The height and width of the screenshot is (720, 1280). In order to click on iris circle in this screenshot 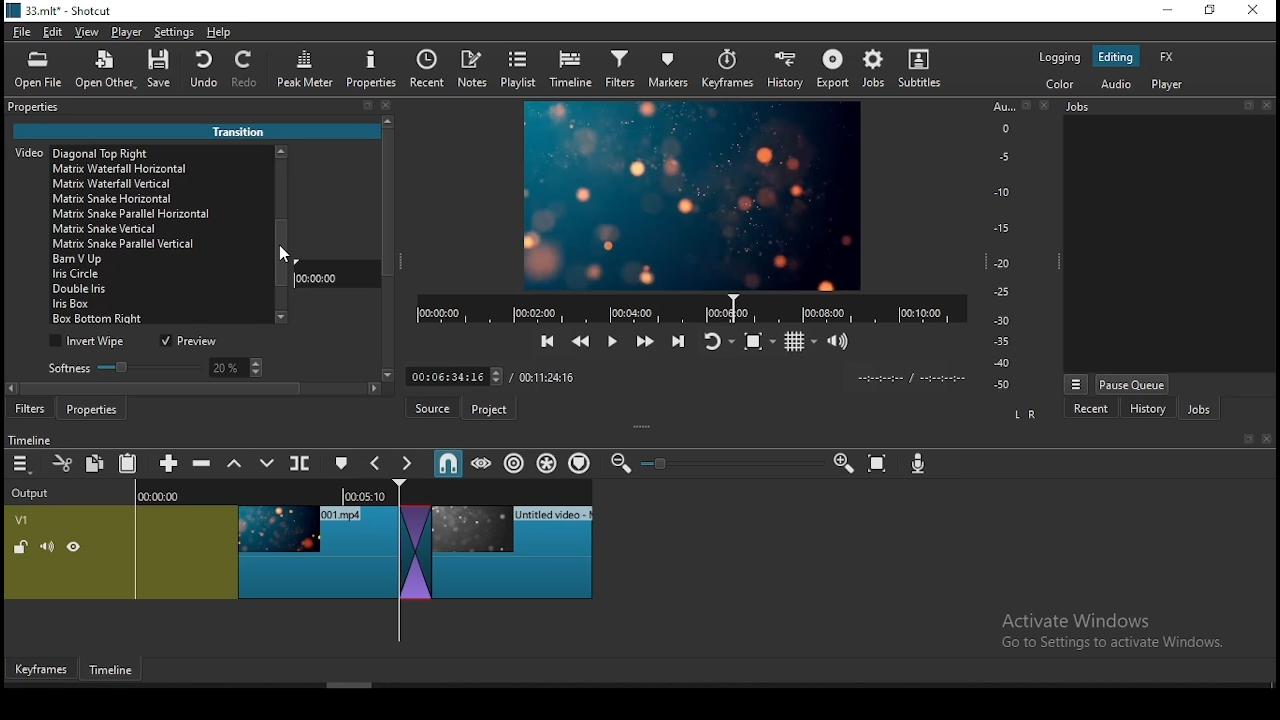, I will do `click(159, 275)`.